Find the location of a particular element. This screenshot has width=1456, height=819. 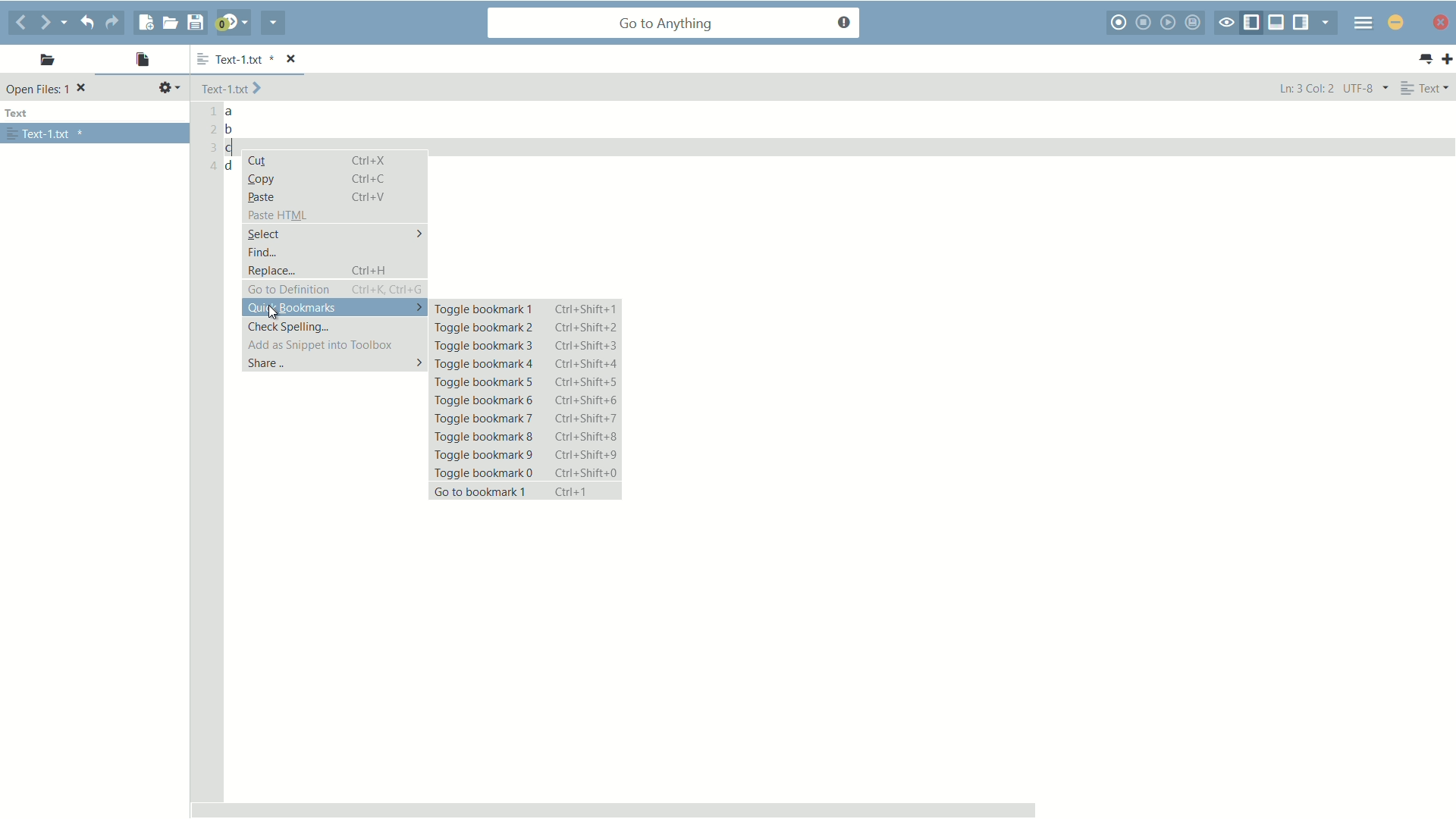

go to bookmark 1 is located at coordinates (526, 493).